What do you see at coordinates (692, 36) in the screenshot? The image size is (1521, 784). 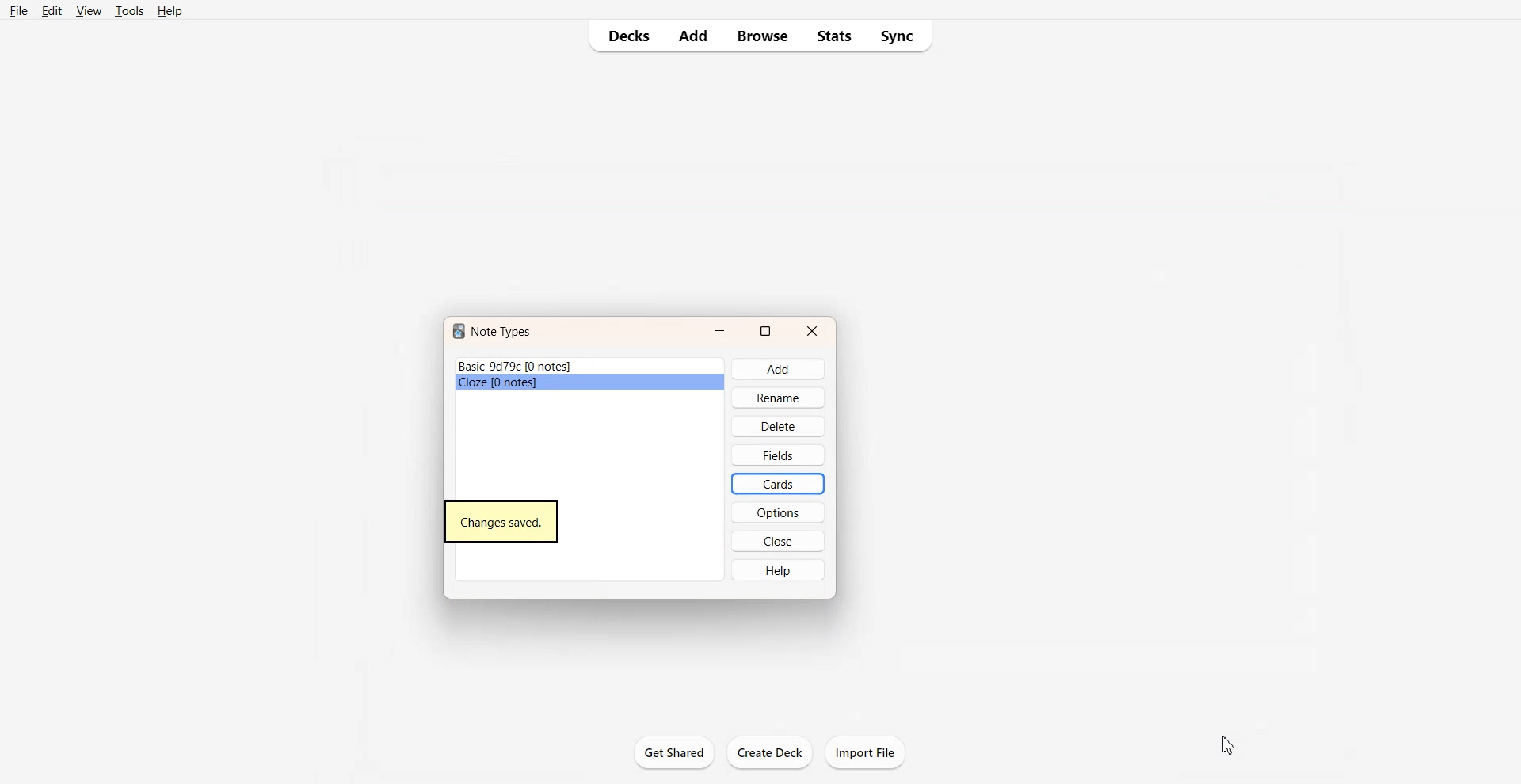 I see `Add` at bounding box center [692, 36].